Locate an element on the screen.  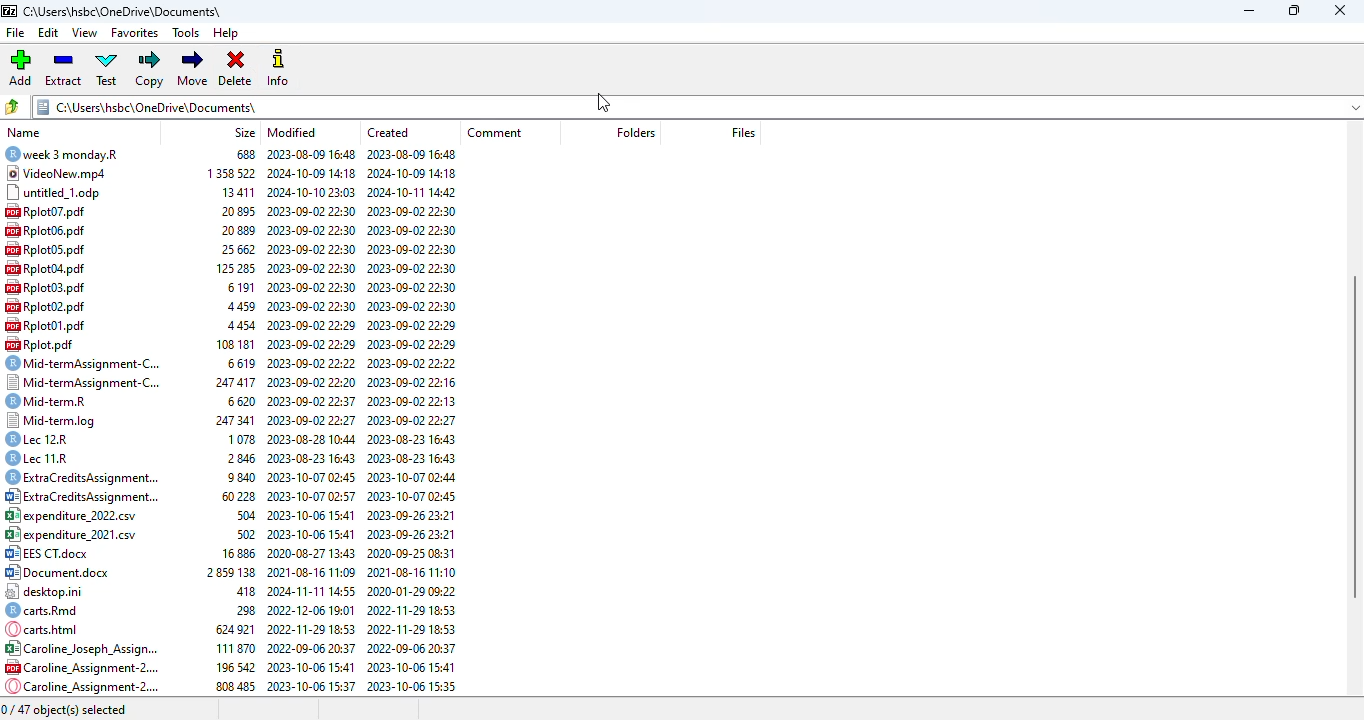
624921 is located at coordinates (233, 629).